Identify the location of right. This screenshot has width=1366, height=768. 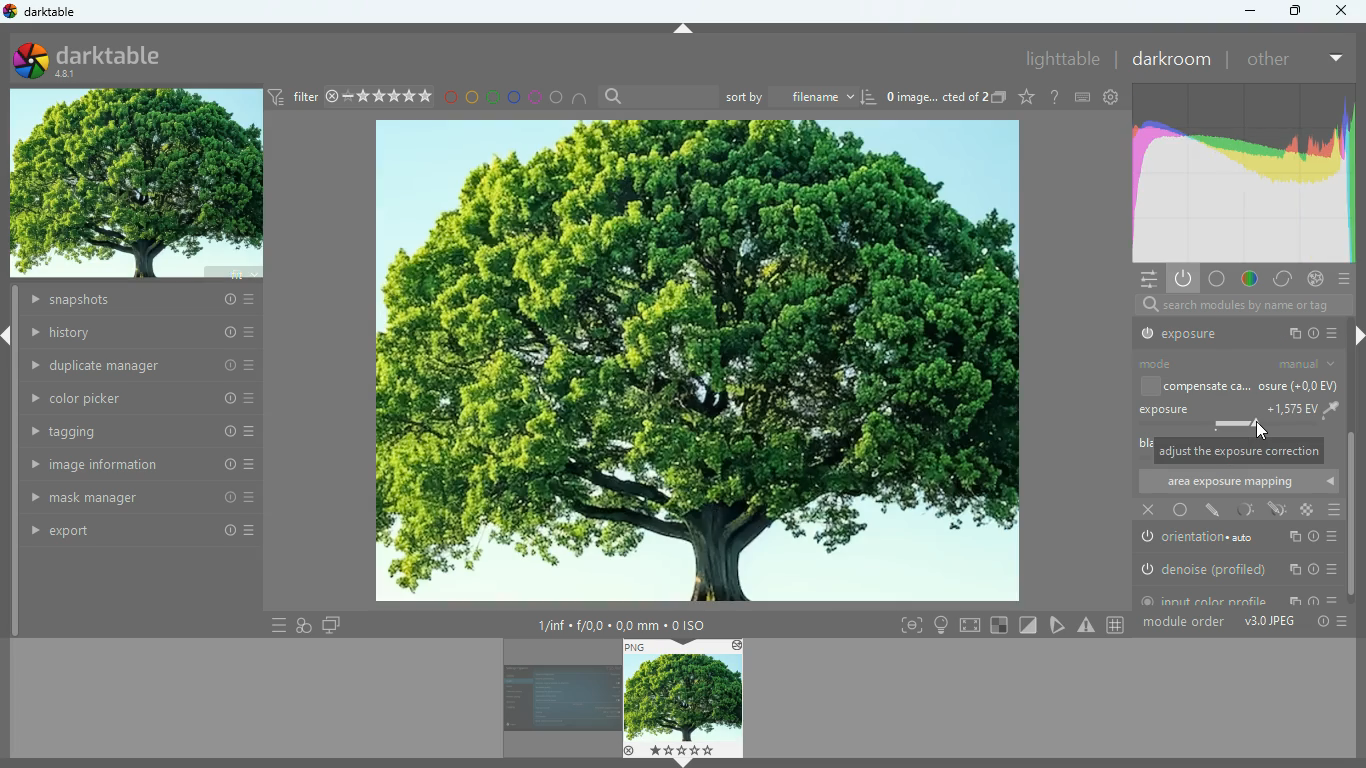
(1357, 329).